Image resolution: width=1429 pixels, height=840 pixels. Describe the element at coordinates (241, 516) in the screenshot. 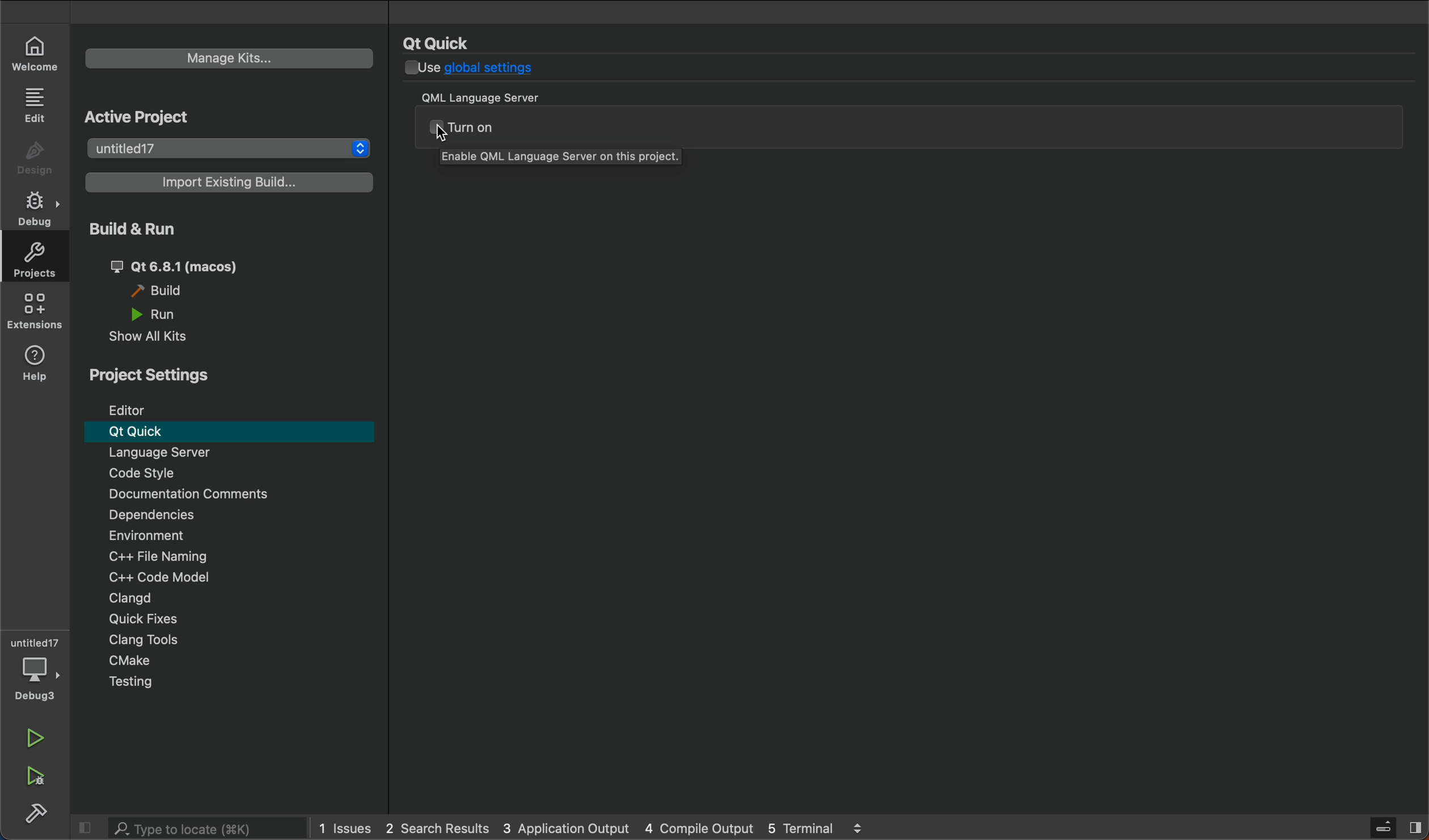

I see `Dependencies ` at that location.